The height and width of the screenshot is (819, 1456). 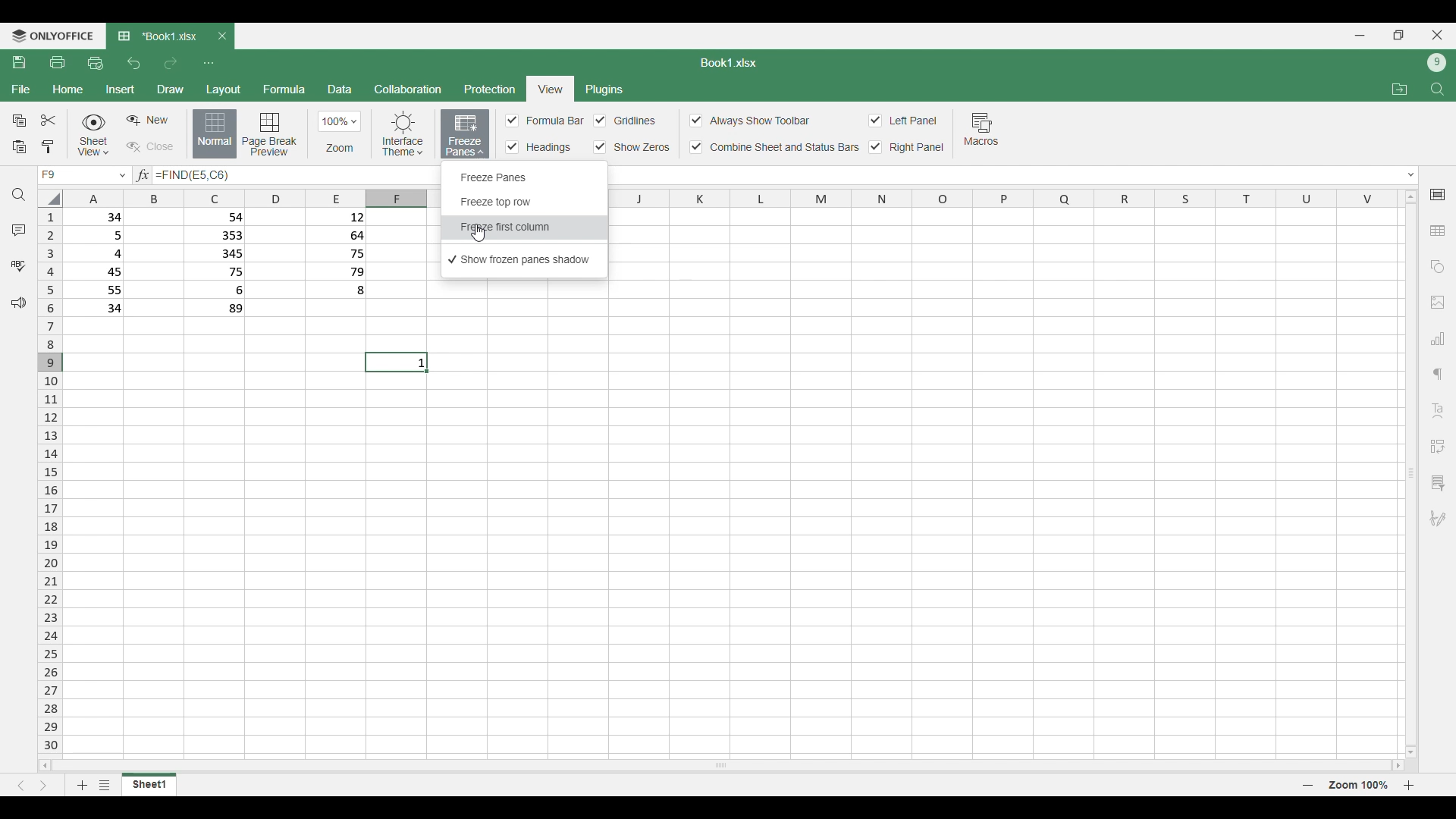 I want to click on Customize quick access, so click(x=209, y=64).